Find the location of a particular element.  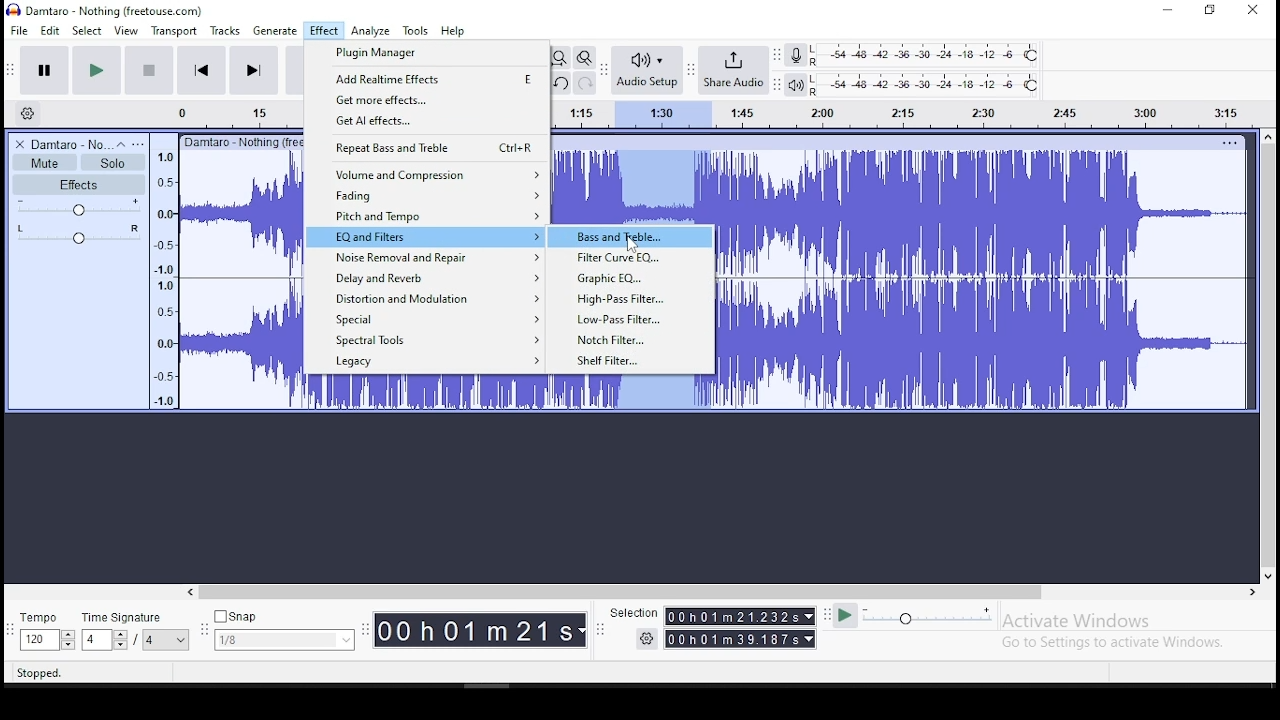

left is located at coordinates (189, 592).